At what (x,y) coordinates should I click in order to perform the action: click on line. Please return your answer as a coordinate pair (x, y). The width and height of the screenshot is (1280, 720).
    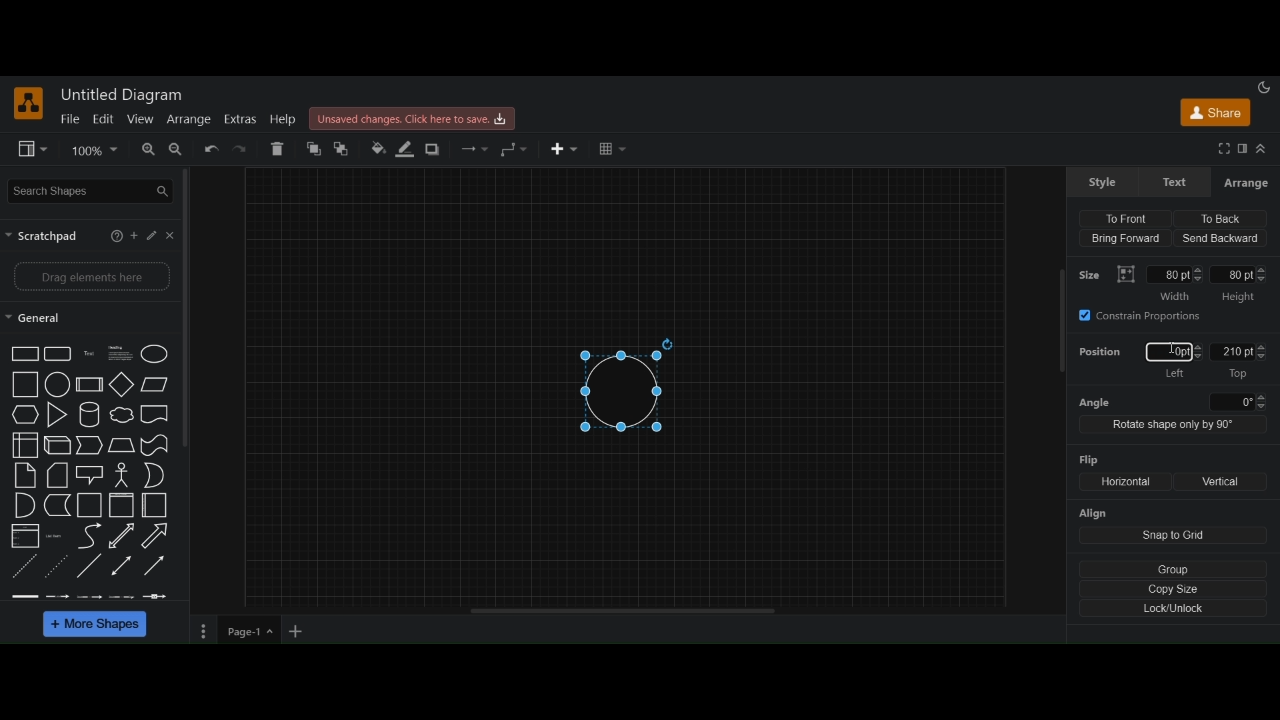
    Looking at the image, I should click on (89, 565).